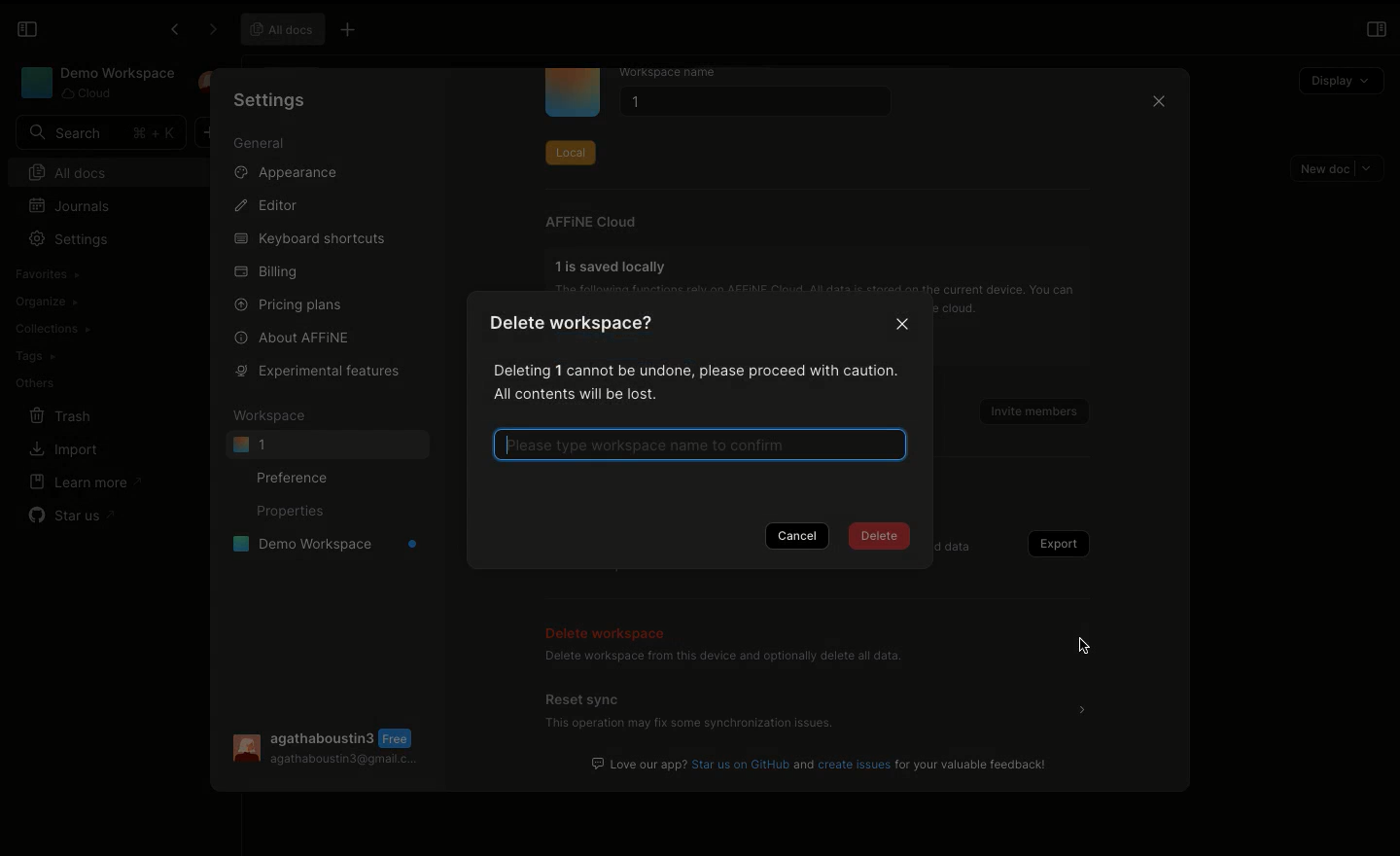  I want to click on New doc, so click(1338, 168).